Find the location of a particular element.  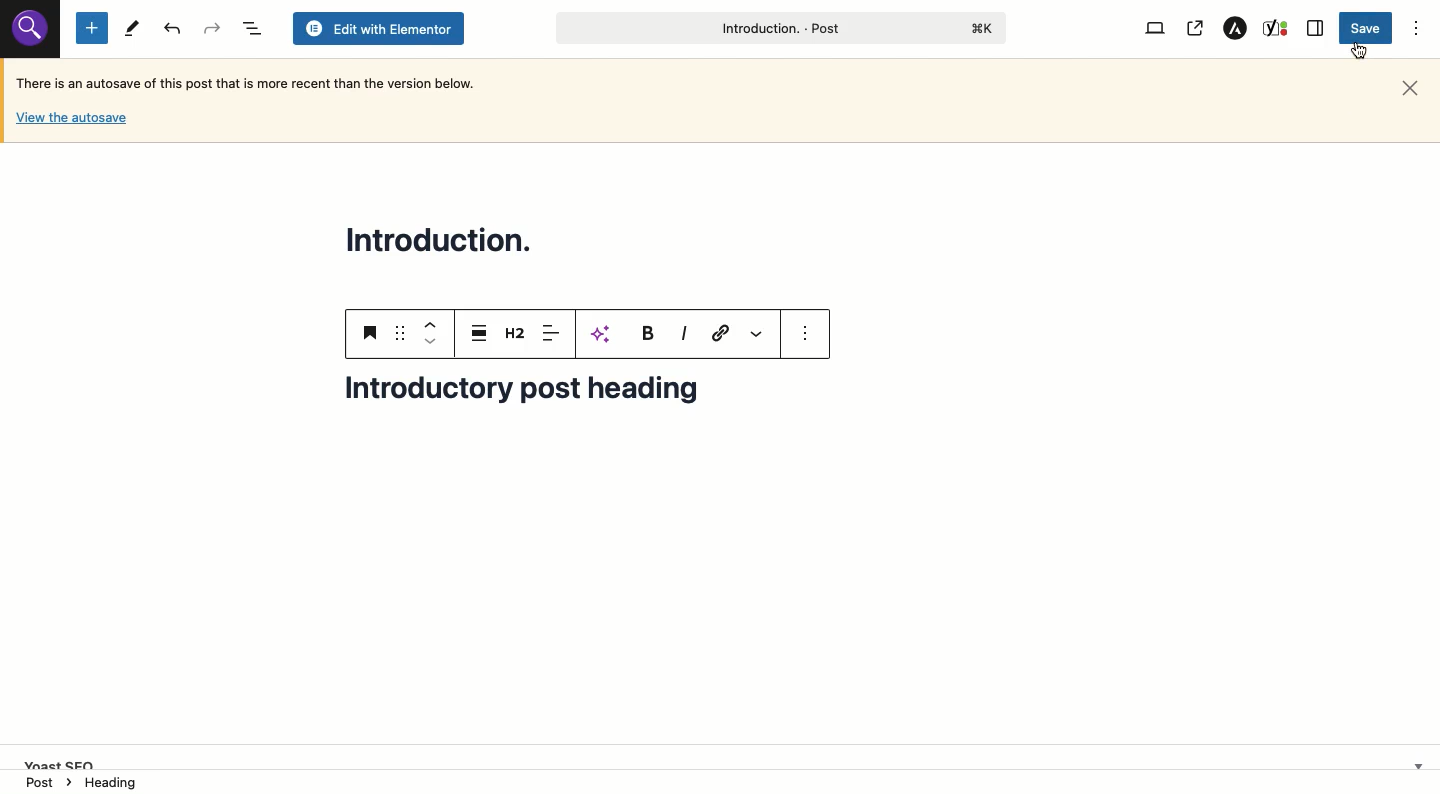

View autosave is located at coordinates (71, 121).